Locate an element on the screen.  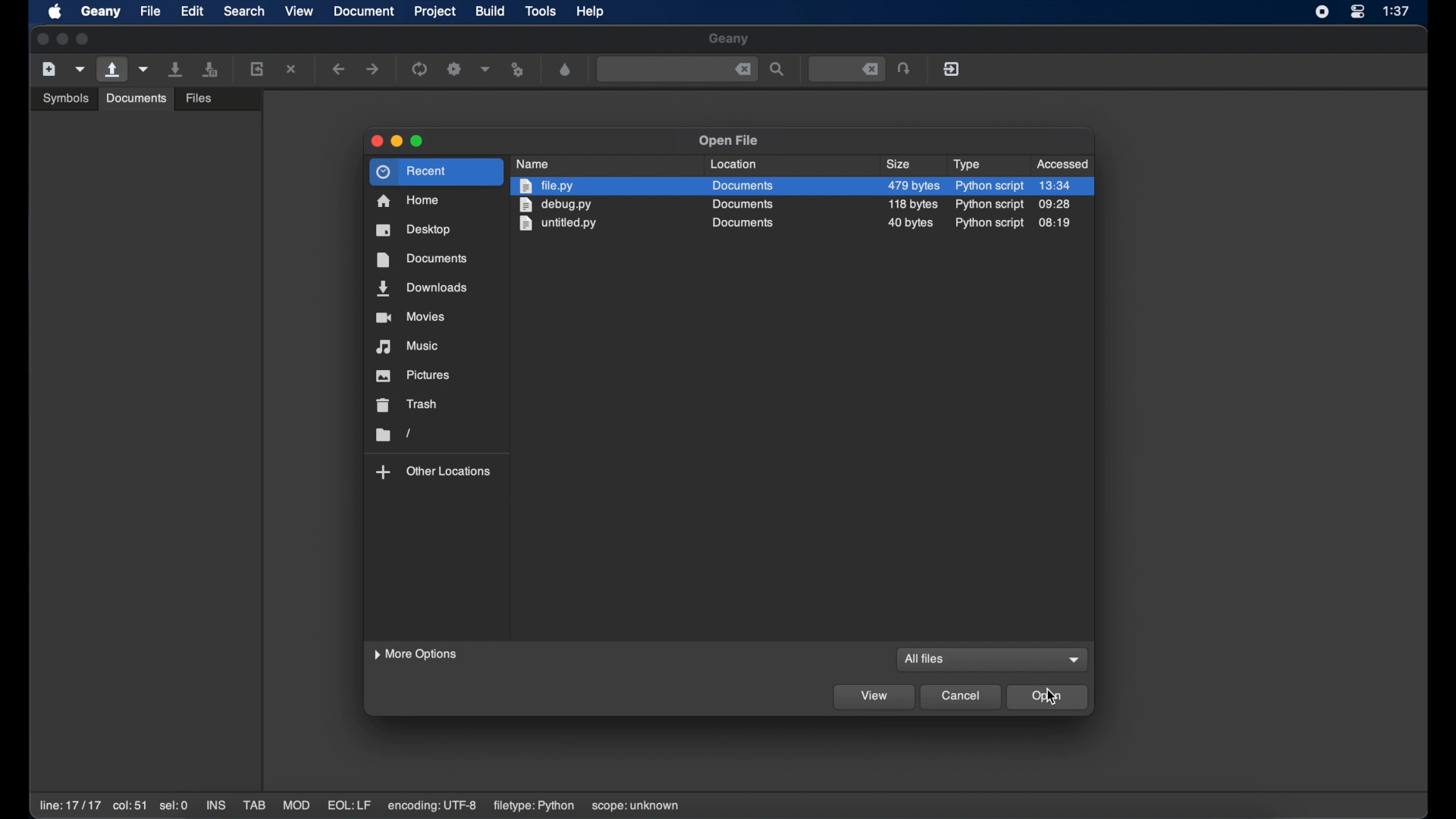
tab is located at coordinates (255, 805).